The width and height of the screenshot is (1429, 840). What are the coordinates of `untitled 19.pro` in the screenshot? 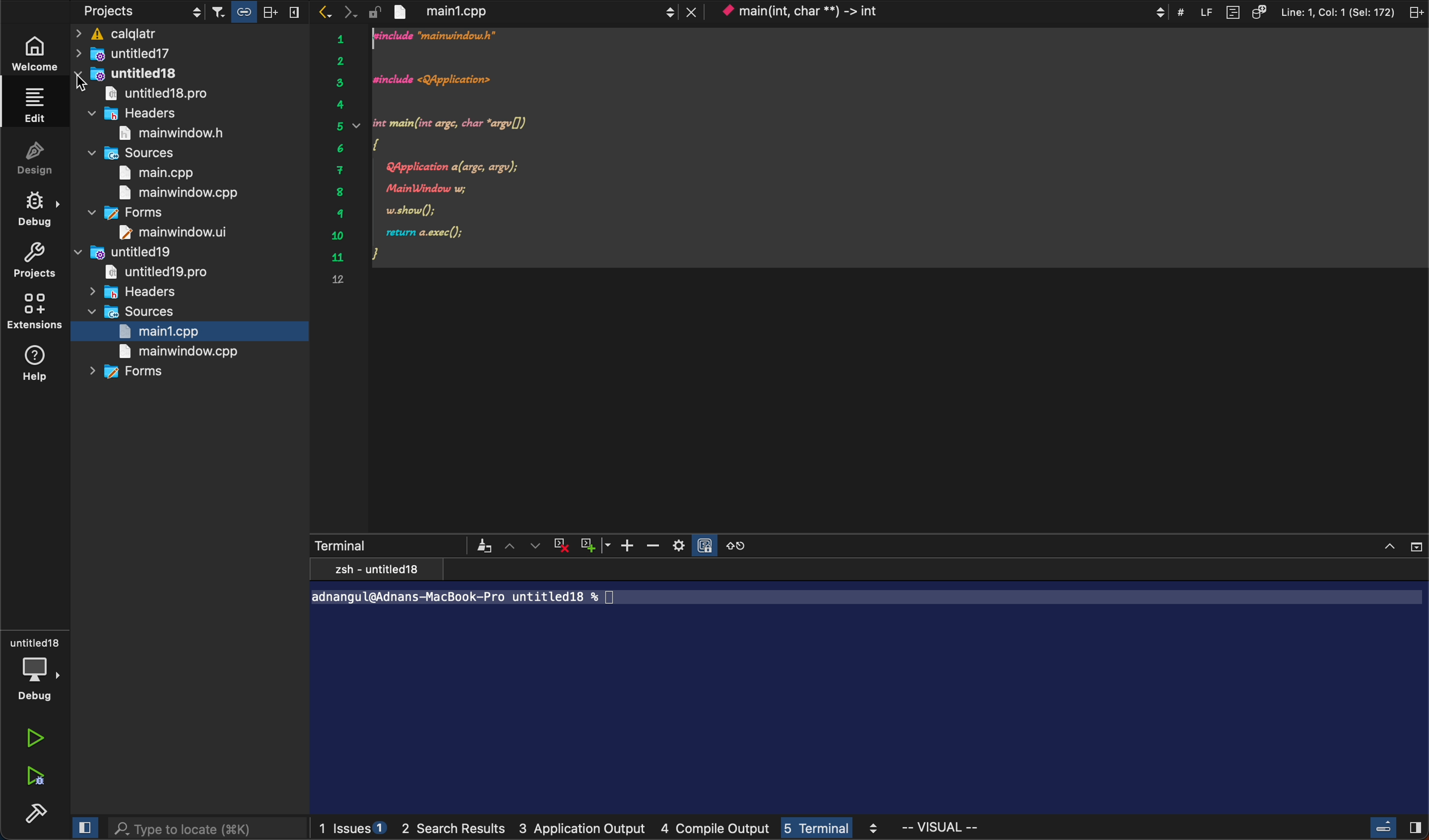 It's located at (155, 272).